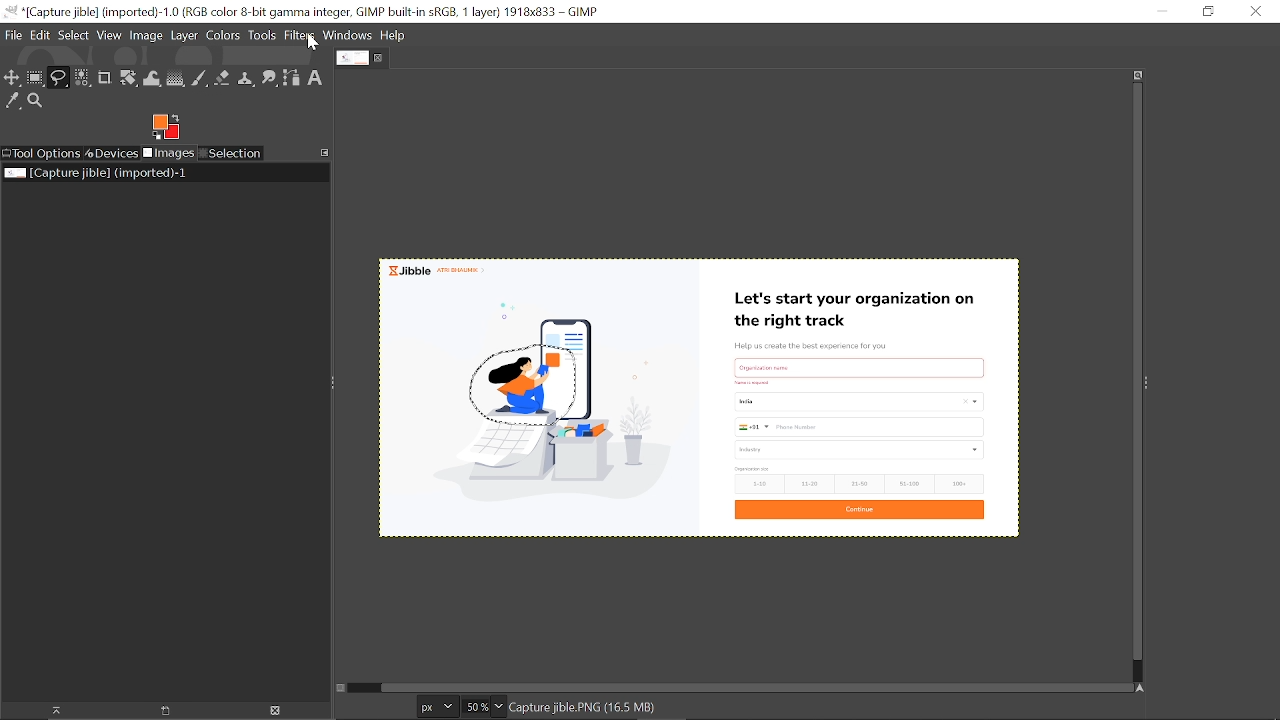 The image size is (1280, 720). Describe the element at coordinates (326, 152) in the screenshot. I see `Access this tab` at that location.